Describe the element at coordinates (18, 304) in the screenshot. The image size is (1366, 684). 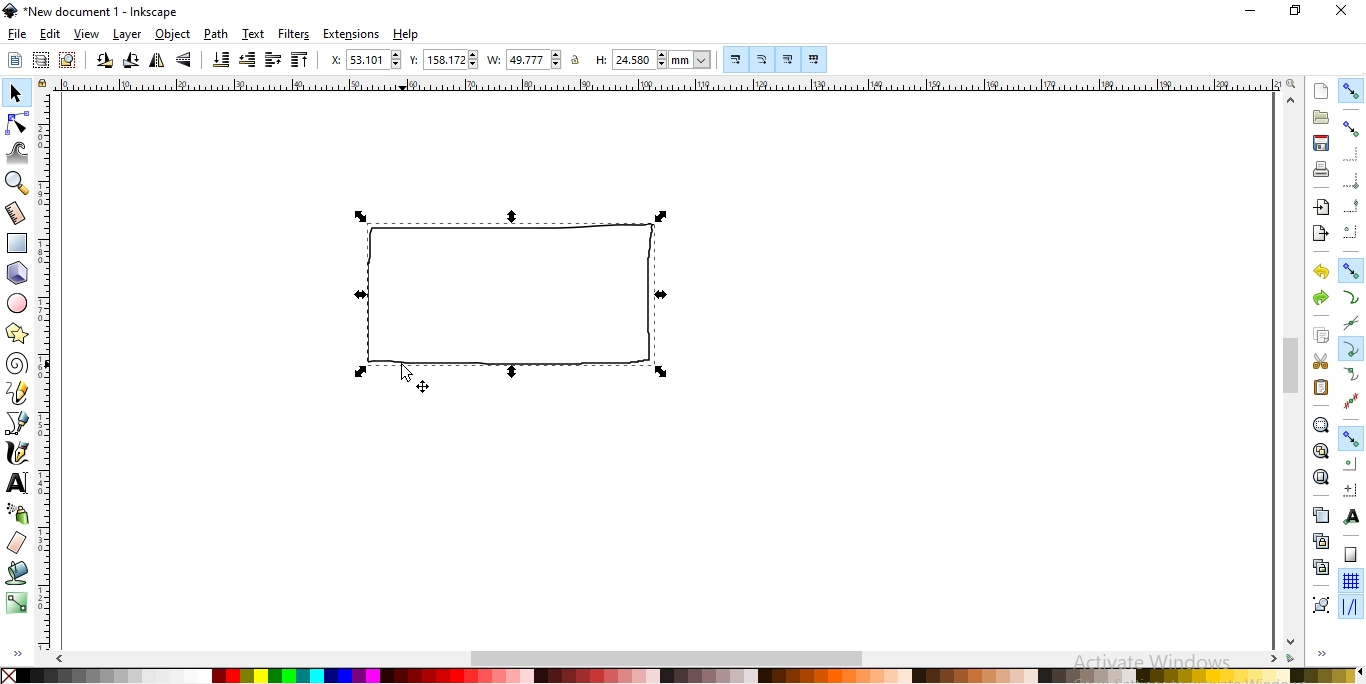
I see `create circles, ellipses andarcs` at that location.